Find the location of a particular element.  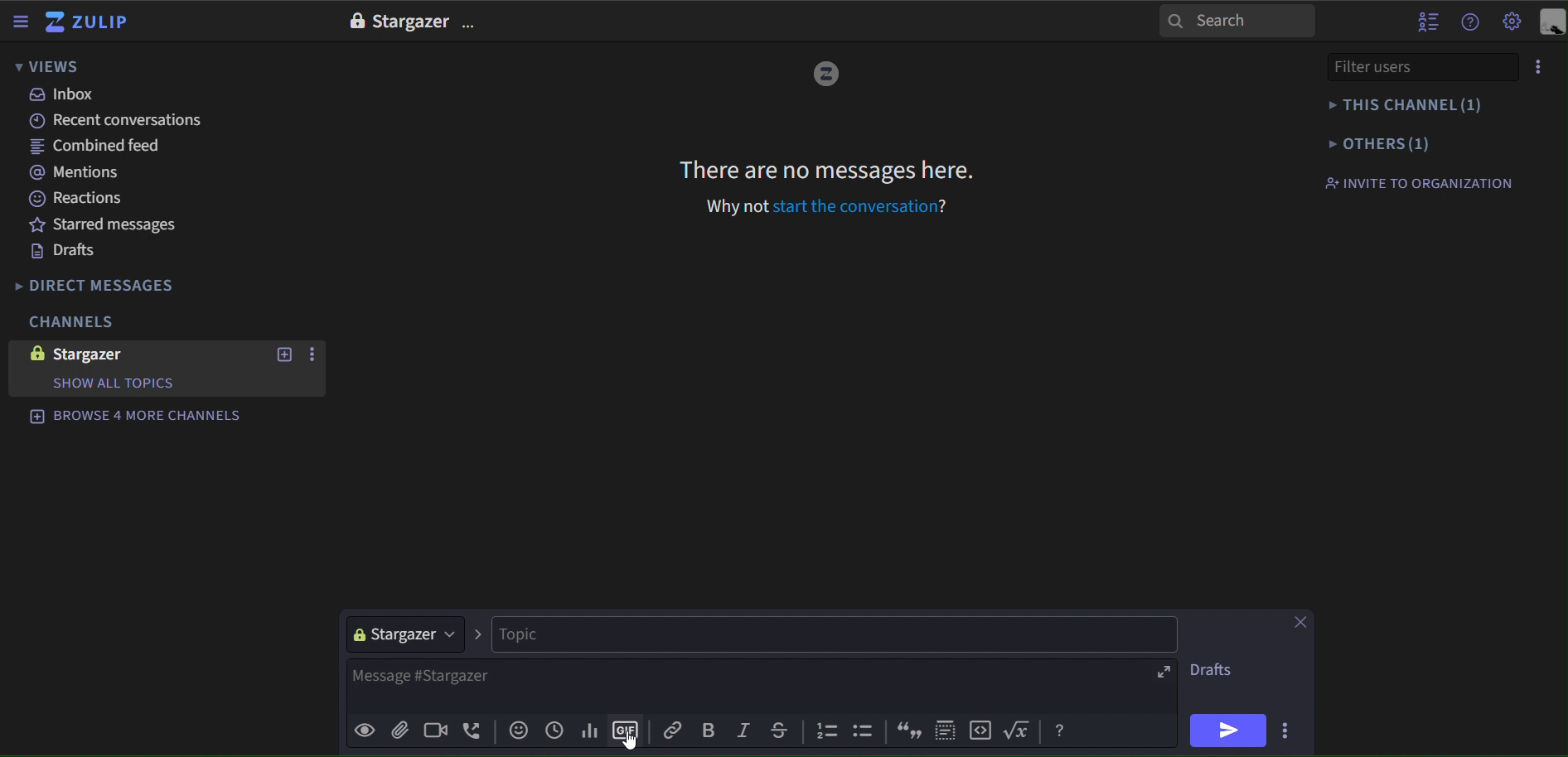

browse 4 more channels is located at coordinates (136, 414).